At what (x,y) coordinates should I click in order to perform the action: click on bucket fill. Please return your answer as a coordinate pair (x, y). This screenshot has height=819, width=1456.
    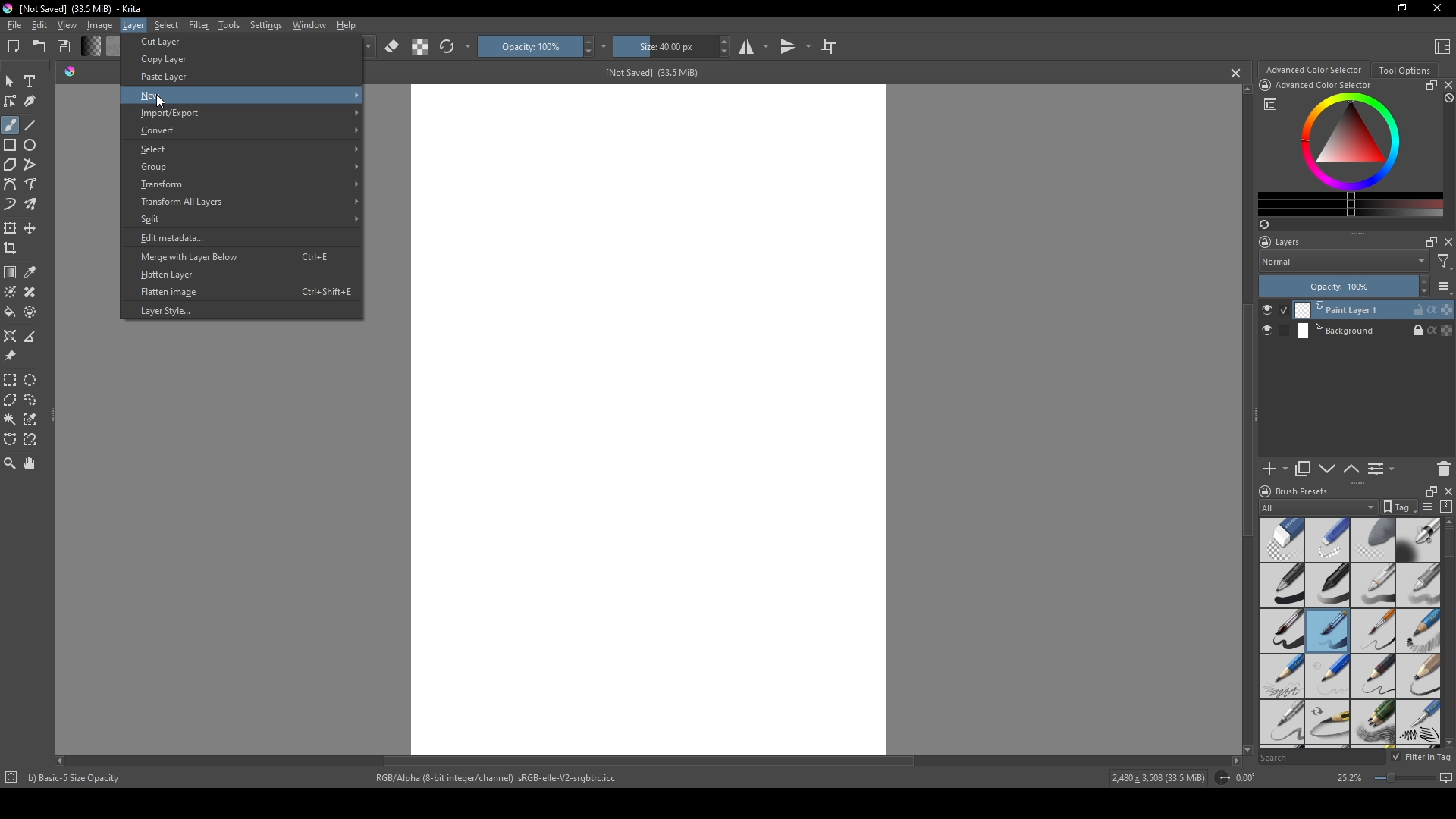
    Looking at the image, I should click on (11, 312).